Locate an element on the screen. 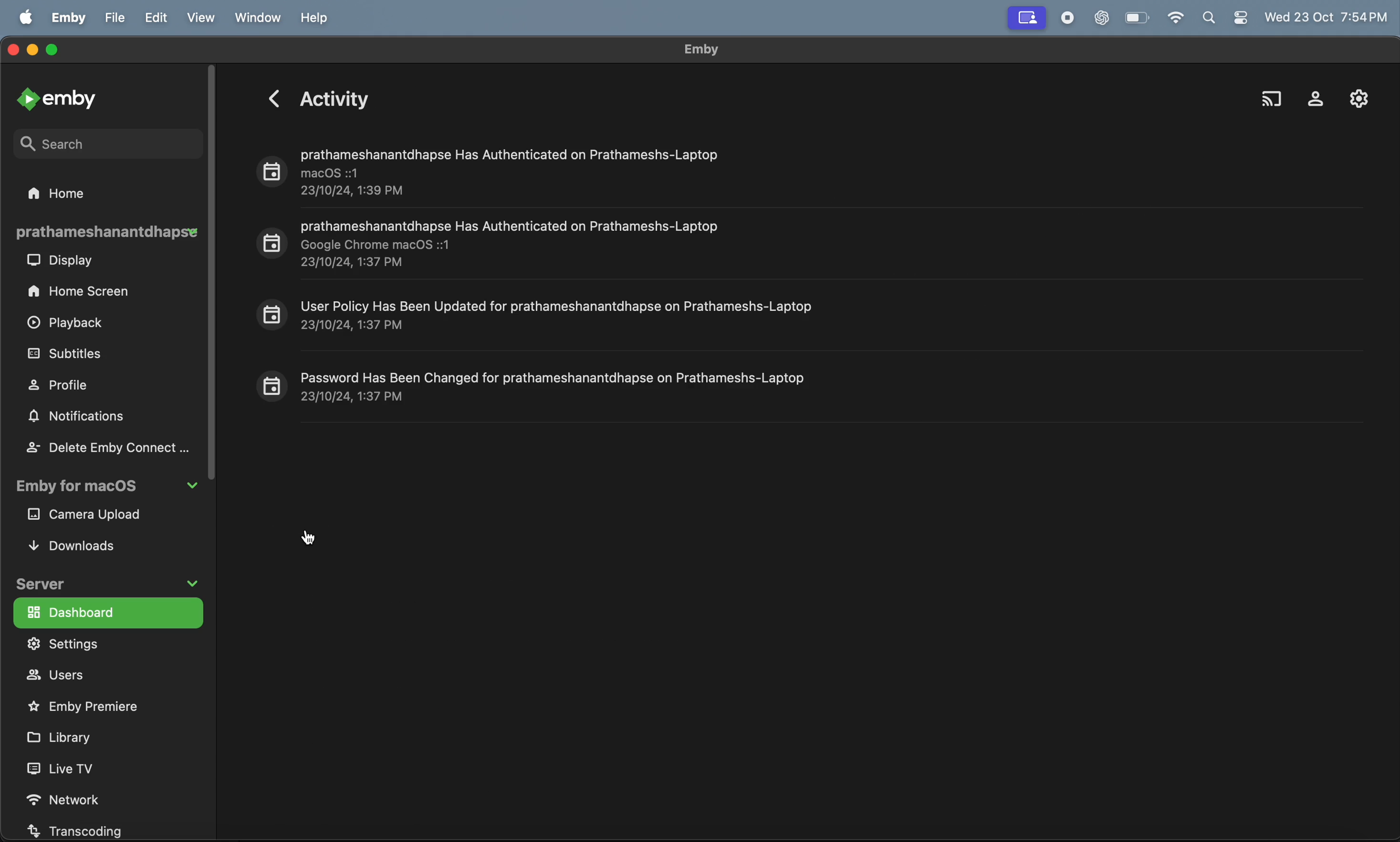 Image resolution: width=1400 pixels, height=842 pixels. play back is located at coordinates (71, 325).